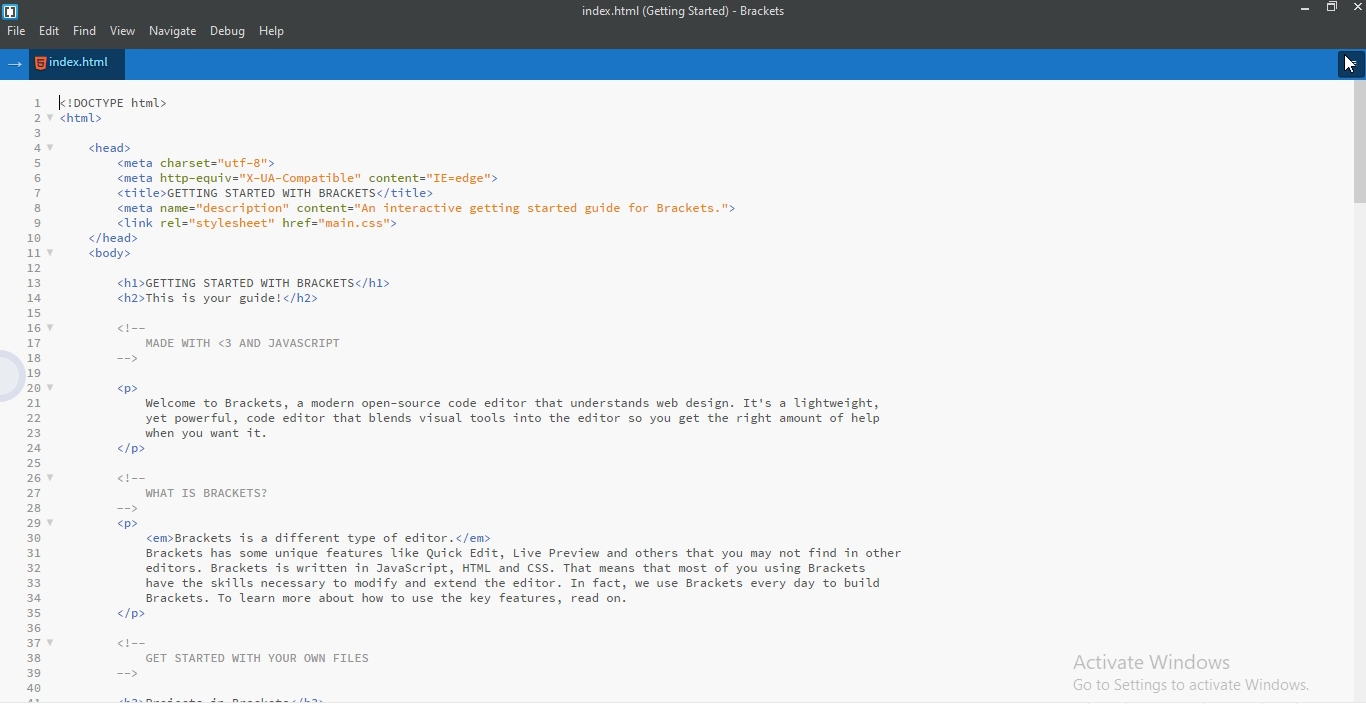 The height and width of the screenshot is (704, 1366). Describe the element at coordinates (1333, 8) in the screenshot. I see `restore` at that location.